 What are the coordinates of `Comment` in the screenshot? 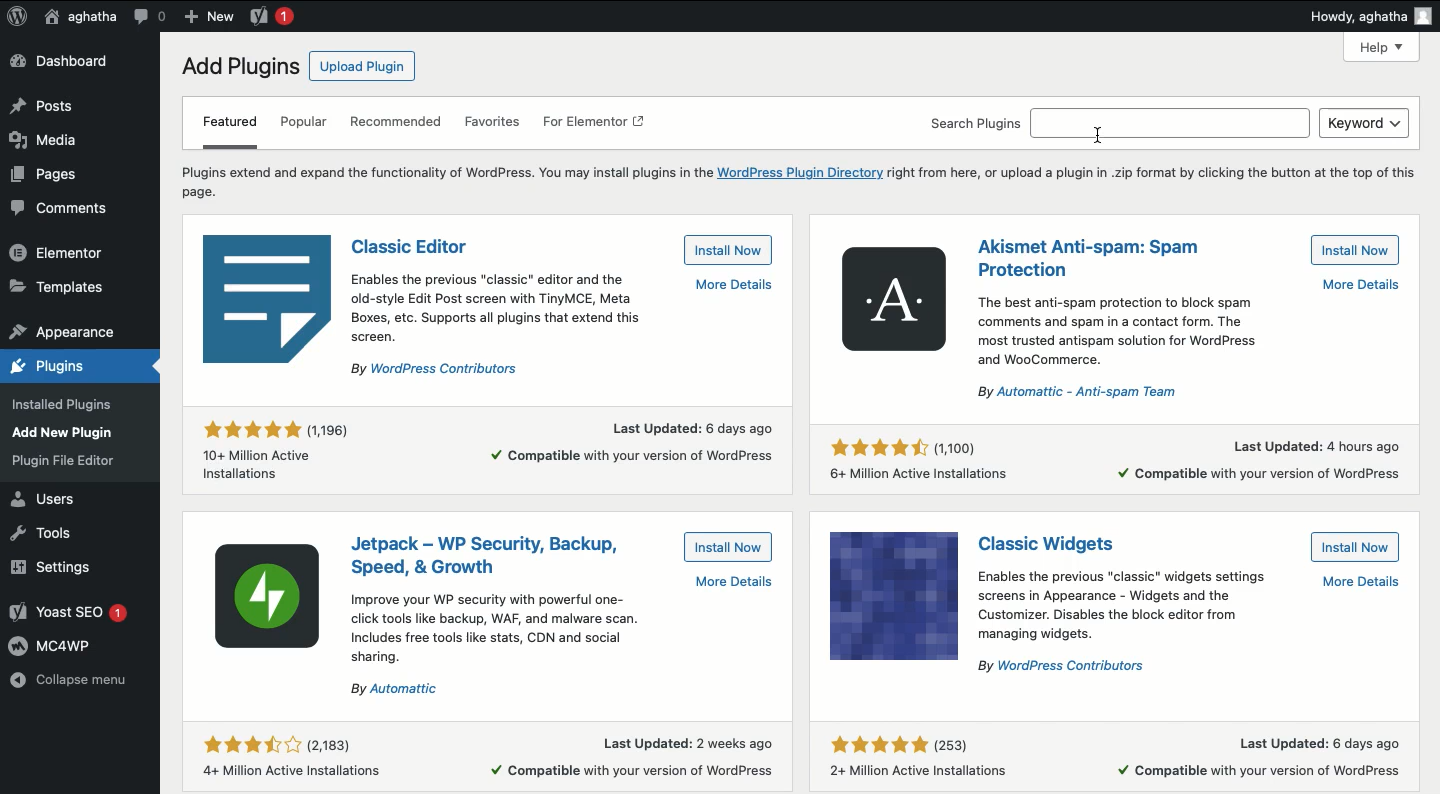 It's located at (150, 15).